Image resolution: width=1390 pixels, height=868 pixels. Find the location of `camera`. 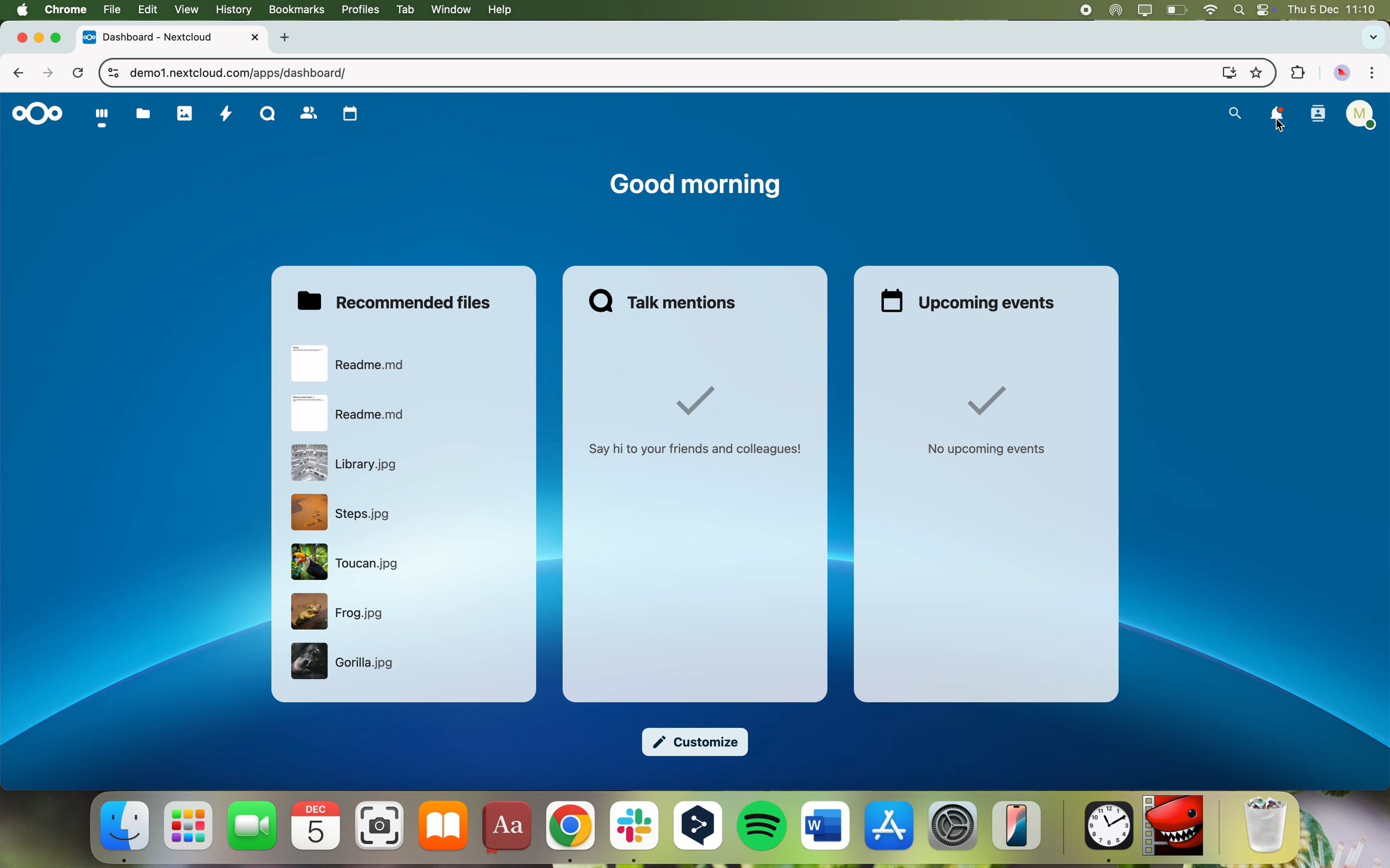

camera is located at coordinates (380, 826).